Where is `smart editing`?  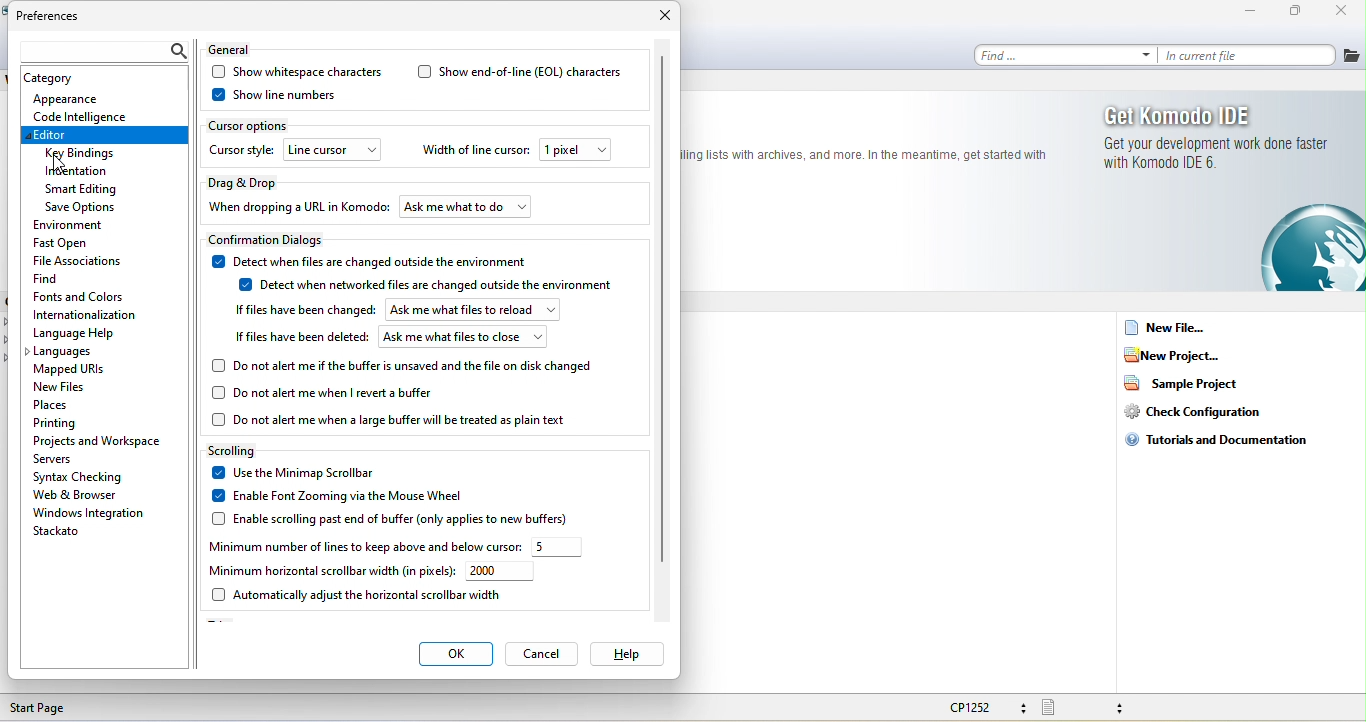
smart editing is located at coordinates (90, 189).